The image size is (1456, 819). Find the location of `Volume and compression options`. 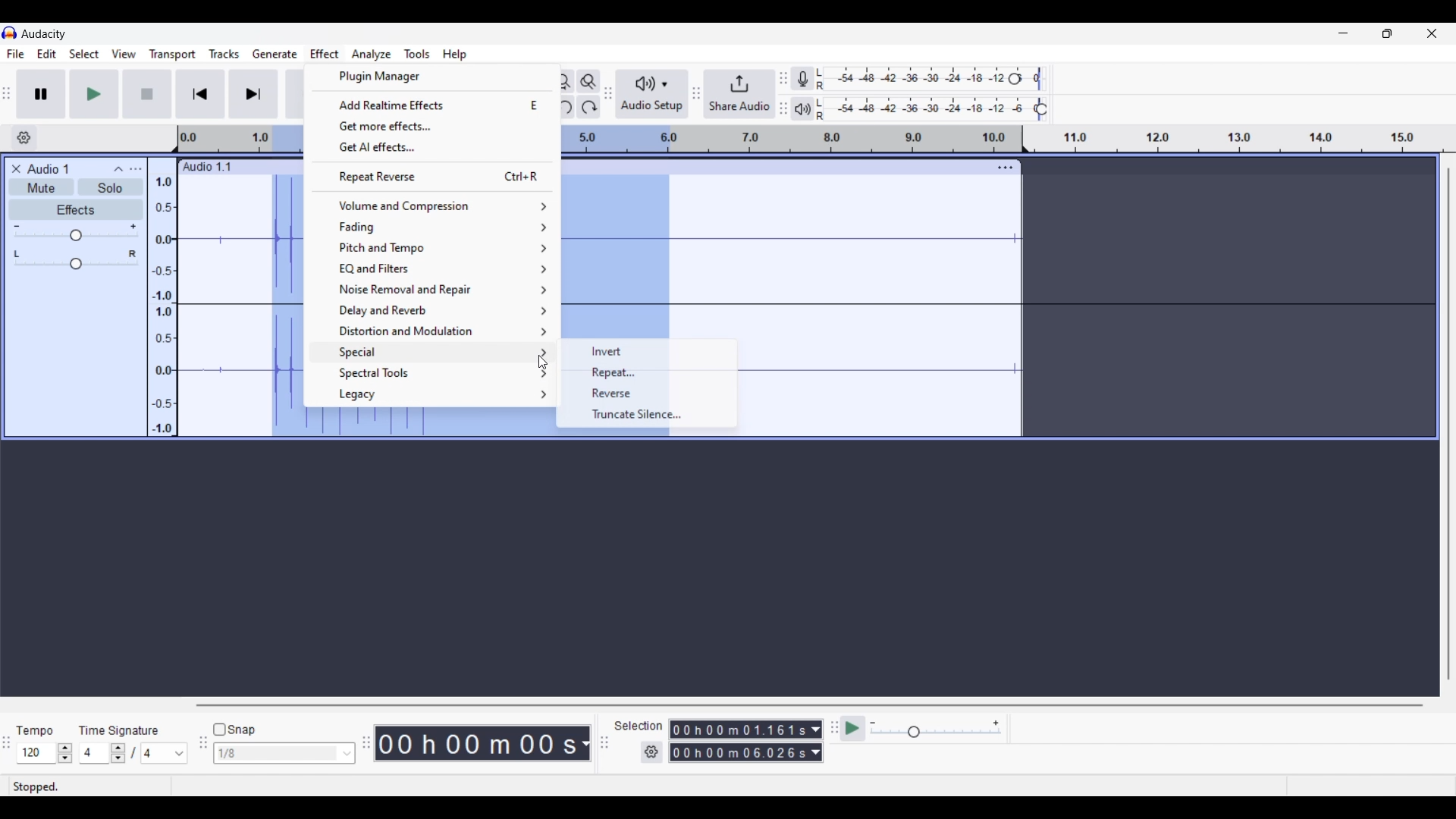

Volume and compression options is located at coordinates (431, 206).